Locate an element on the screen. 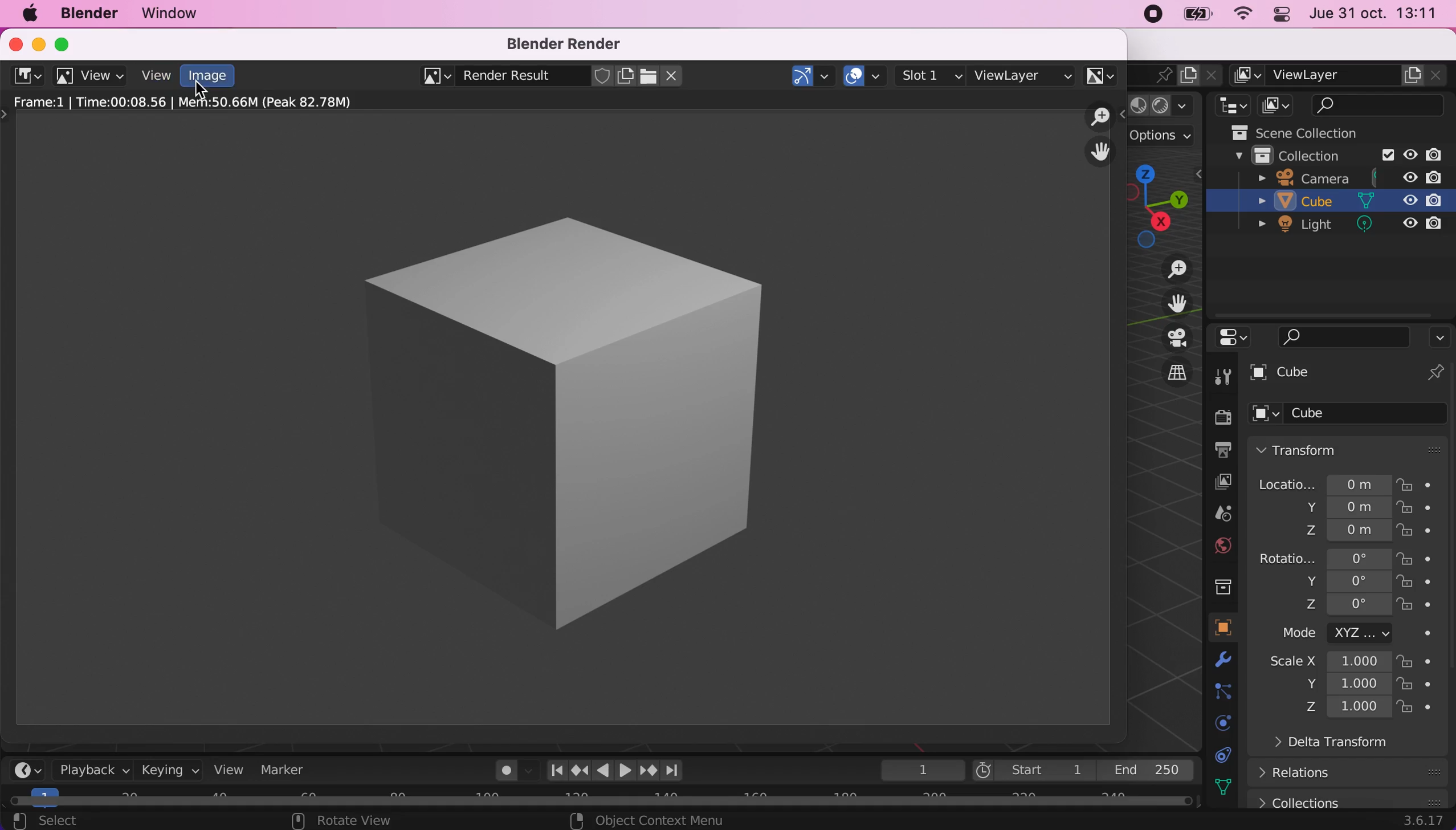 The image size is (1456, 830). tool is located at coordinates (1223, 377).